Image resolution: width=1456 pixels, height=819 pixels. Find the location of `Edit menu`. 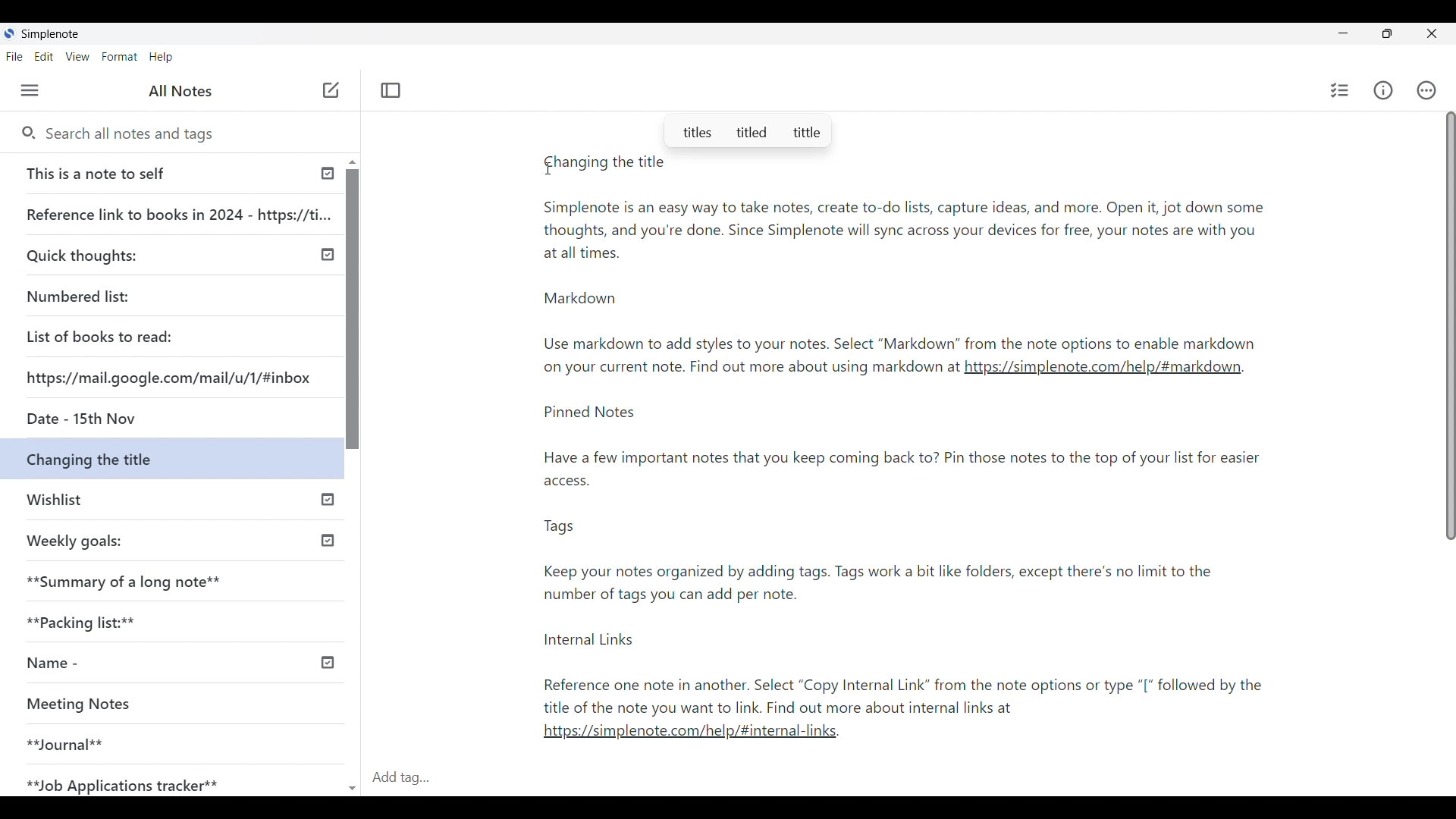

Edit menu is located at coordinates (44, 56).